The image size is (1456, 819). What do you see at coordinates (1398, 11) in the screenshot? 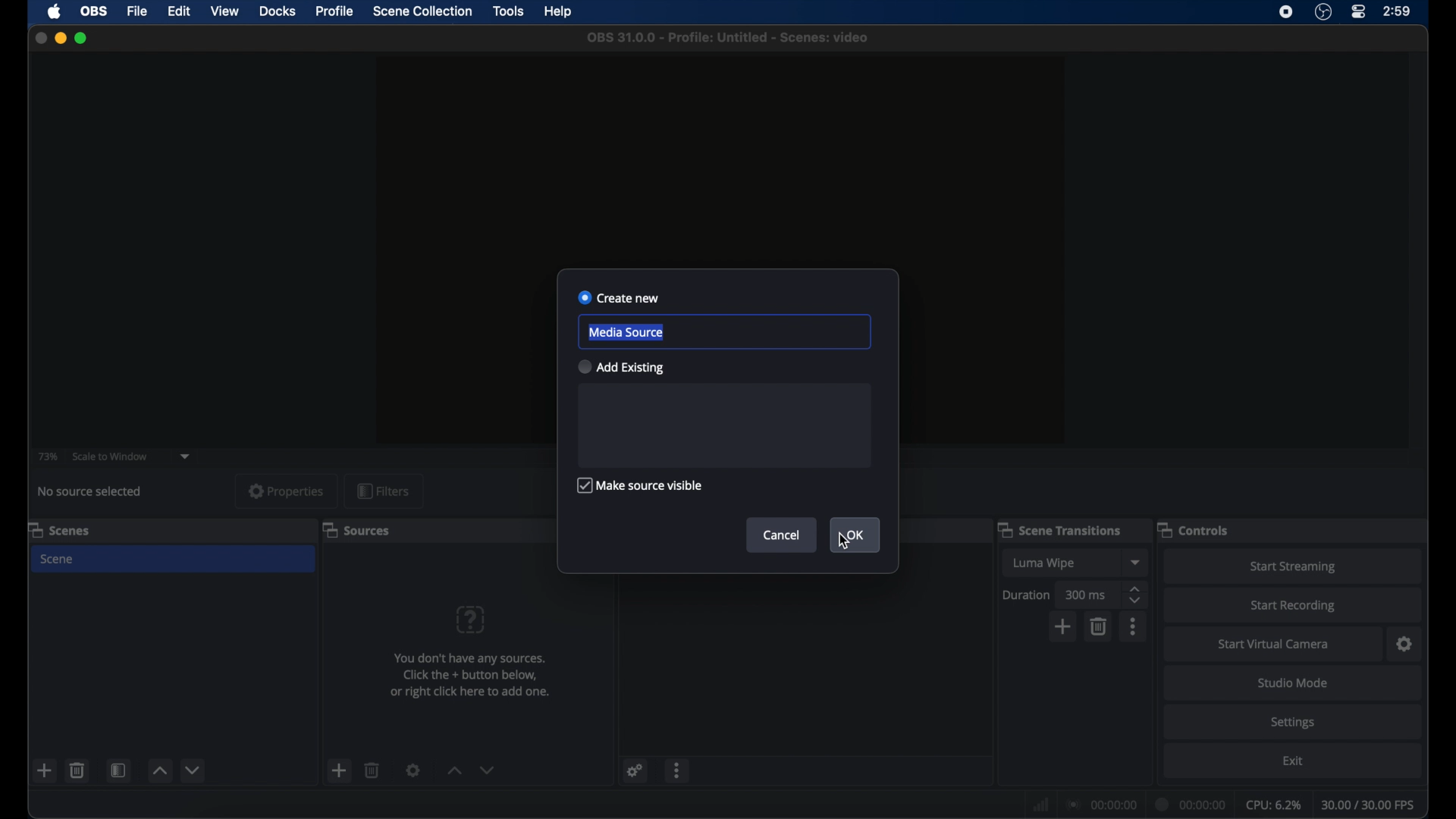
I see `time` at bounding box center [1398, 11].